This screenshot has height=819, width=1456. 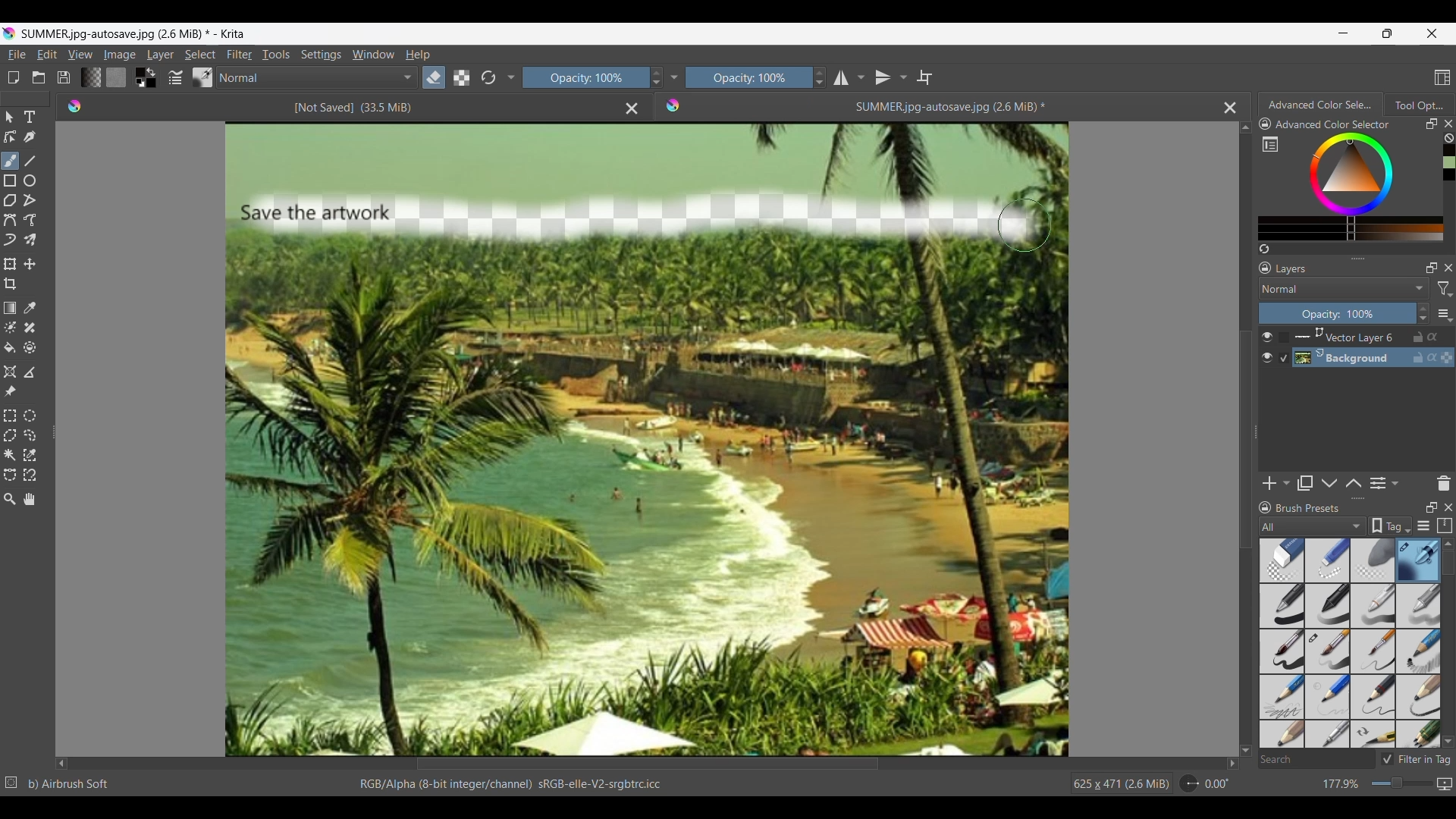 What do you see at coordinates (30, 416) in the screenshot?
I see `Elliptical selection tool` at bounding box center [30, 416].